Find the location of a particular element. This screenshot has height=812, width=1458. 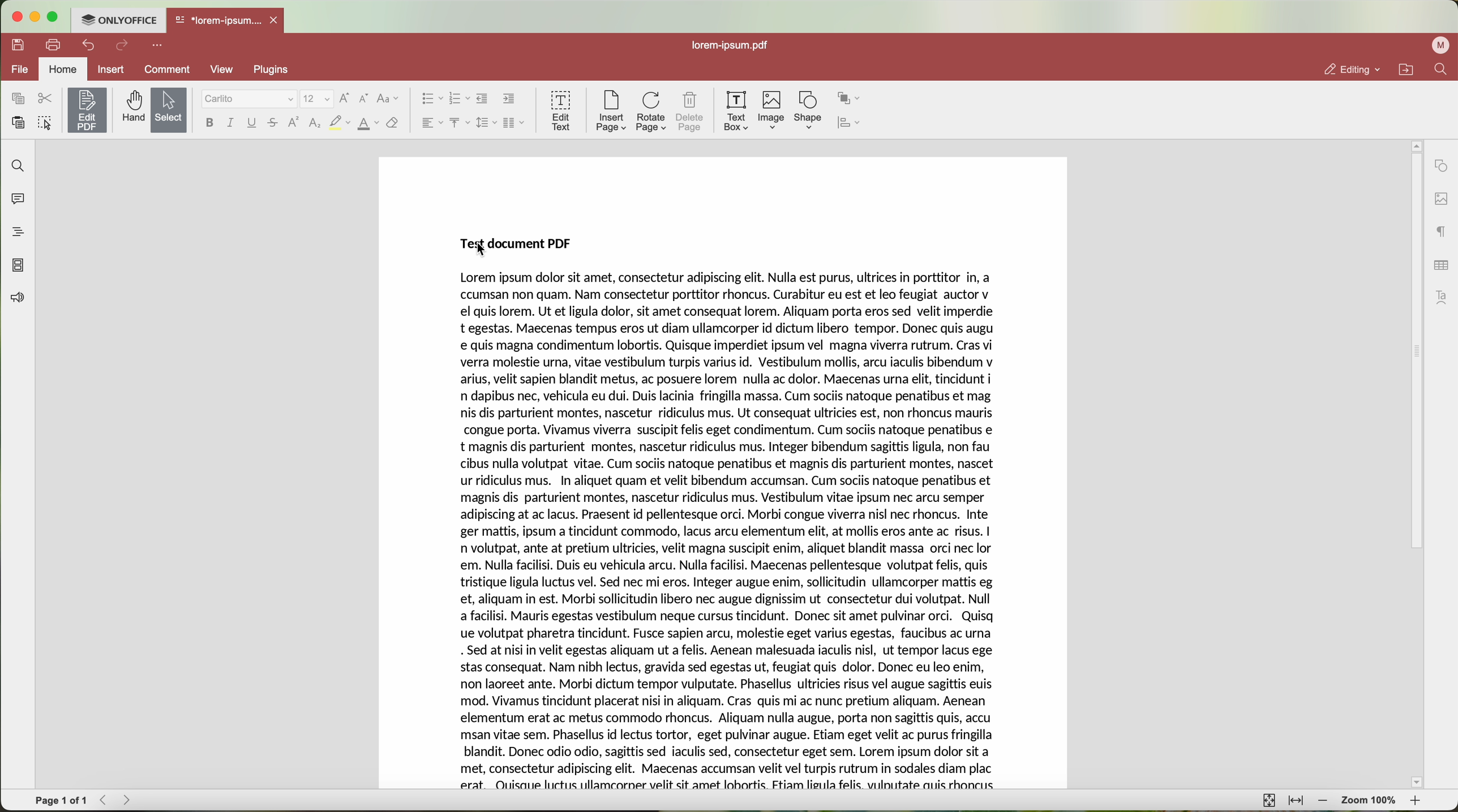

bullets is located at coordinates (431, 98).